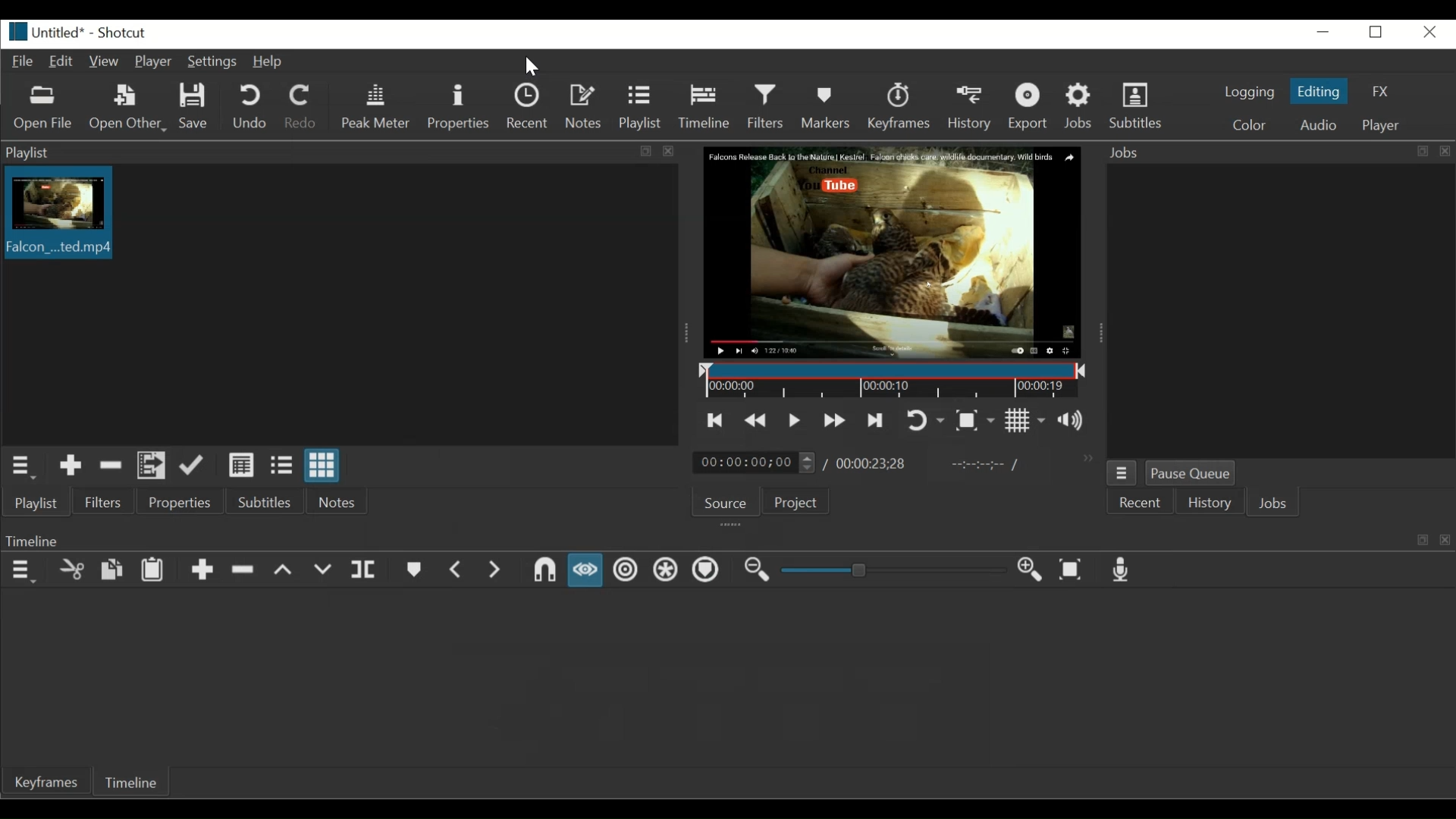 The width and height of the screenshot is (1456, 819). What do you see at coordinates (265, 501) in the screenshot?
I see `Subtitles` at bounding box center [265, 501].